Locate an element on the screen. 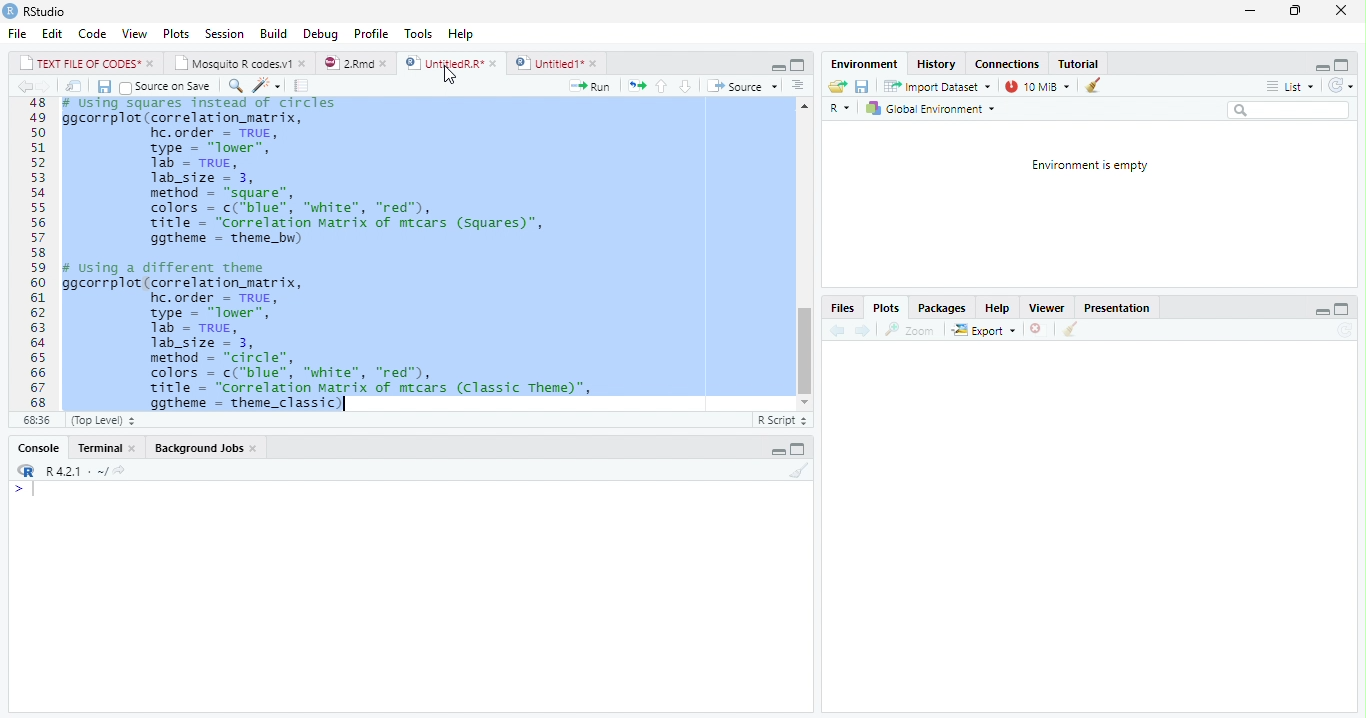  Tools is located at coordinates (417, 32).